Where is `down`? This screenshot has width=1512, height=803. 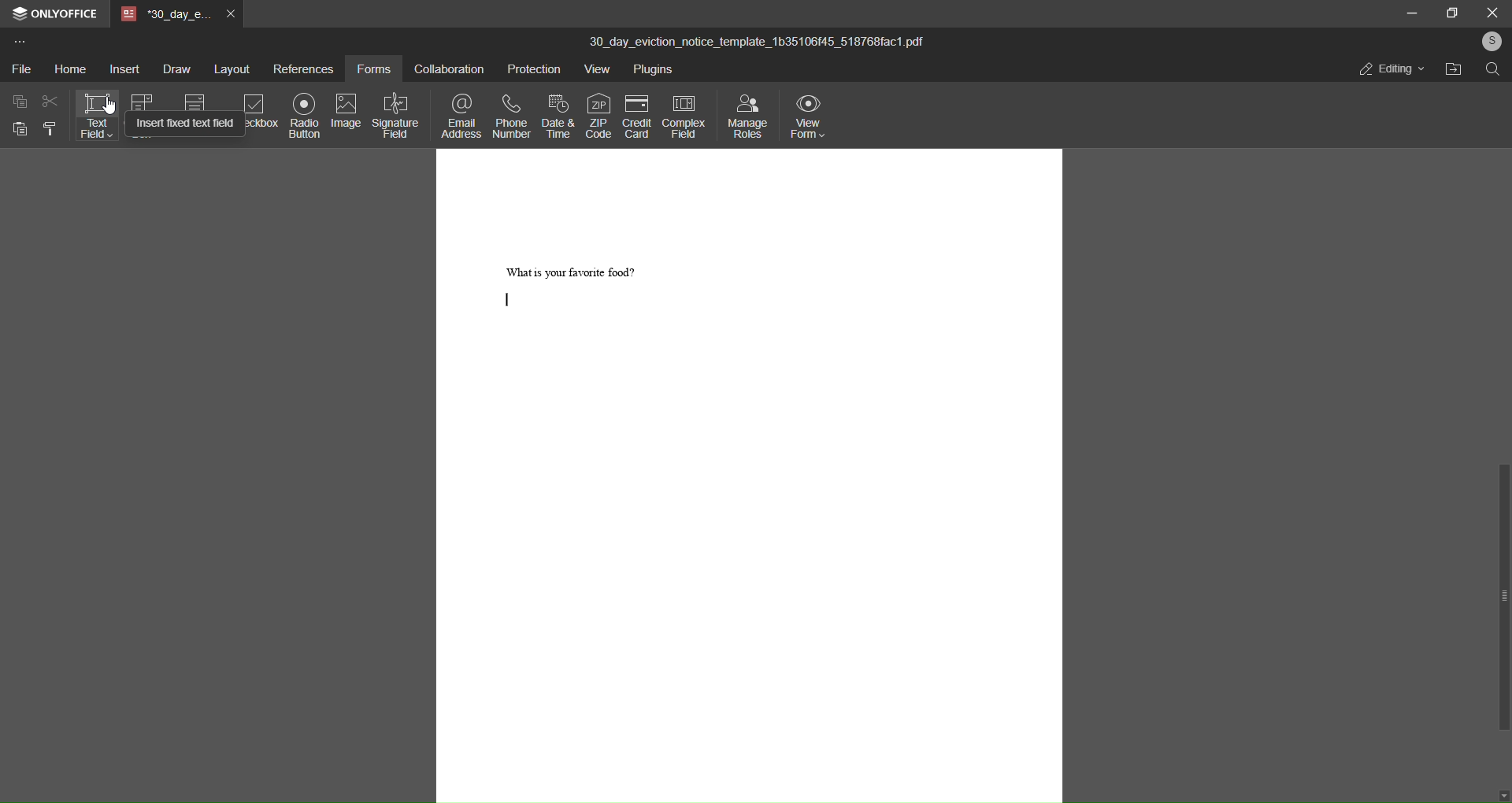
down is located at coordinates (1503, 797).